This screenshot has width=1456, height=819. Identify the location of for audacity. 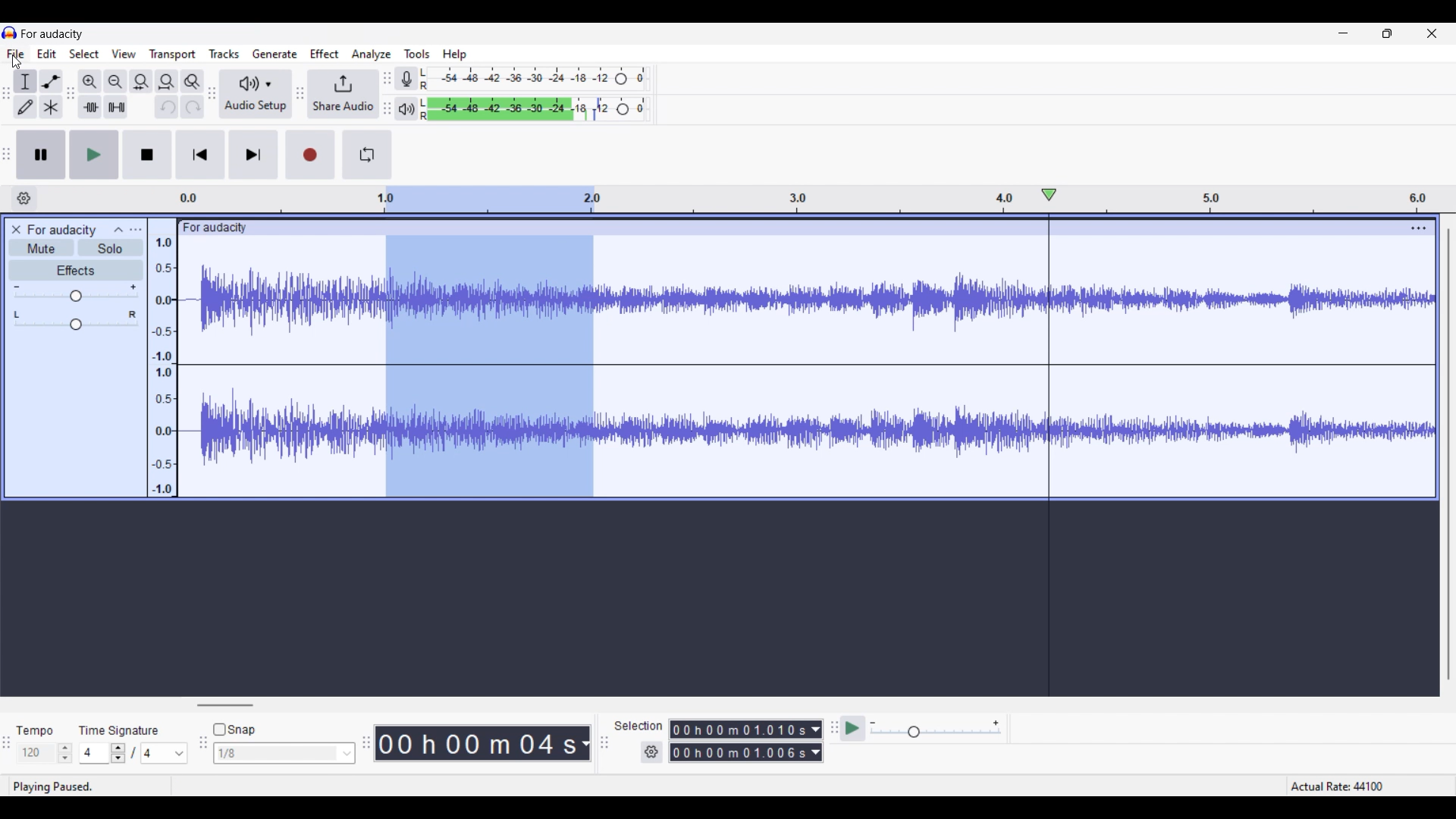
(52, 34).